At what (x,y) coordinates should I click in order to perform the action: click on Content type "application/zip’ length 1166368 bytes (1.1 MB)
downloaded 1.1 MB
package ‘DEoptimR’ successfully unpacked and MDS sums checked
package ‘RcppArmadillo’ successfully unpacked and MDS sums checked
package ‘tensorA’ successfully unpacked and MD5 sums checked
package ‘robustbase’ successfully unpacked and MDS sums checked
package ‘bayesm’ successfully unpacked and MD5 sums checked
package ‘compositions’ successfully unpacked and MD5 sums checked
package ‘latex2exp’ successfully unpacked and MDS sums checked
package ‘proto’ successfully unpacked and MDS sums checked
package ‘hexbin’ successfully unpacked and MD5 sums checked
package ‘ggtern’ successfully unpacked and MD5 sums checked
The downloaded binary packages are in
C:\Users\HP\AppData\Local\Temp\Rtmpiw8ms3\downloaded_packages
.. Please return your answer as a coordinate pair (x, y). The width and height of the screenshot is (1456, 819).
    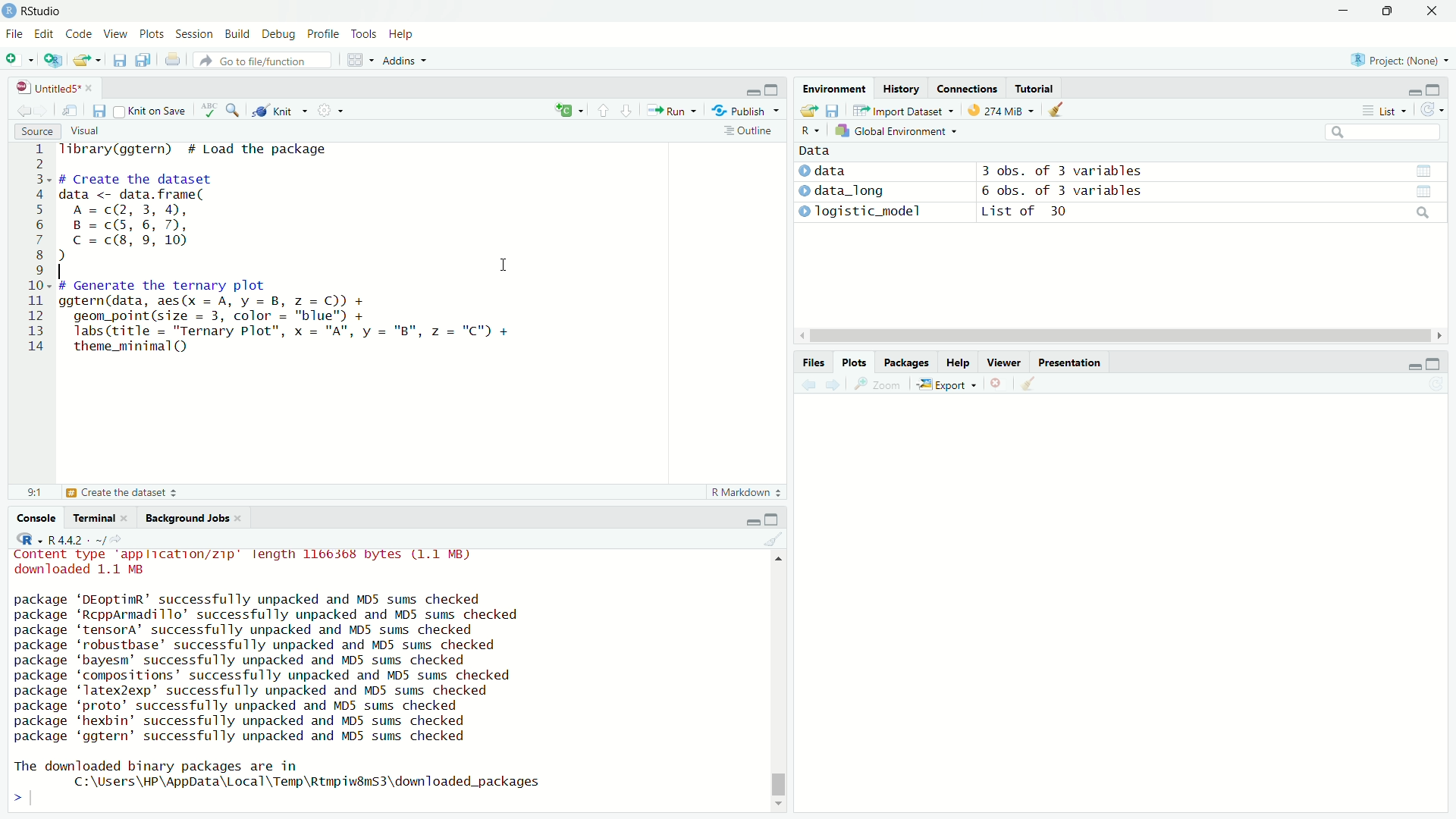
    Looking at the image, I should click on (291, 674).